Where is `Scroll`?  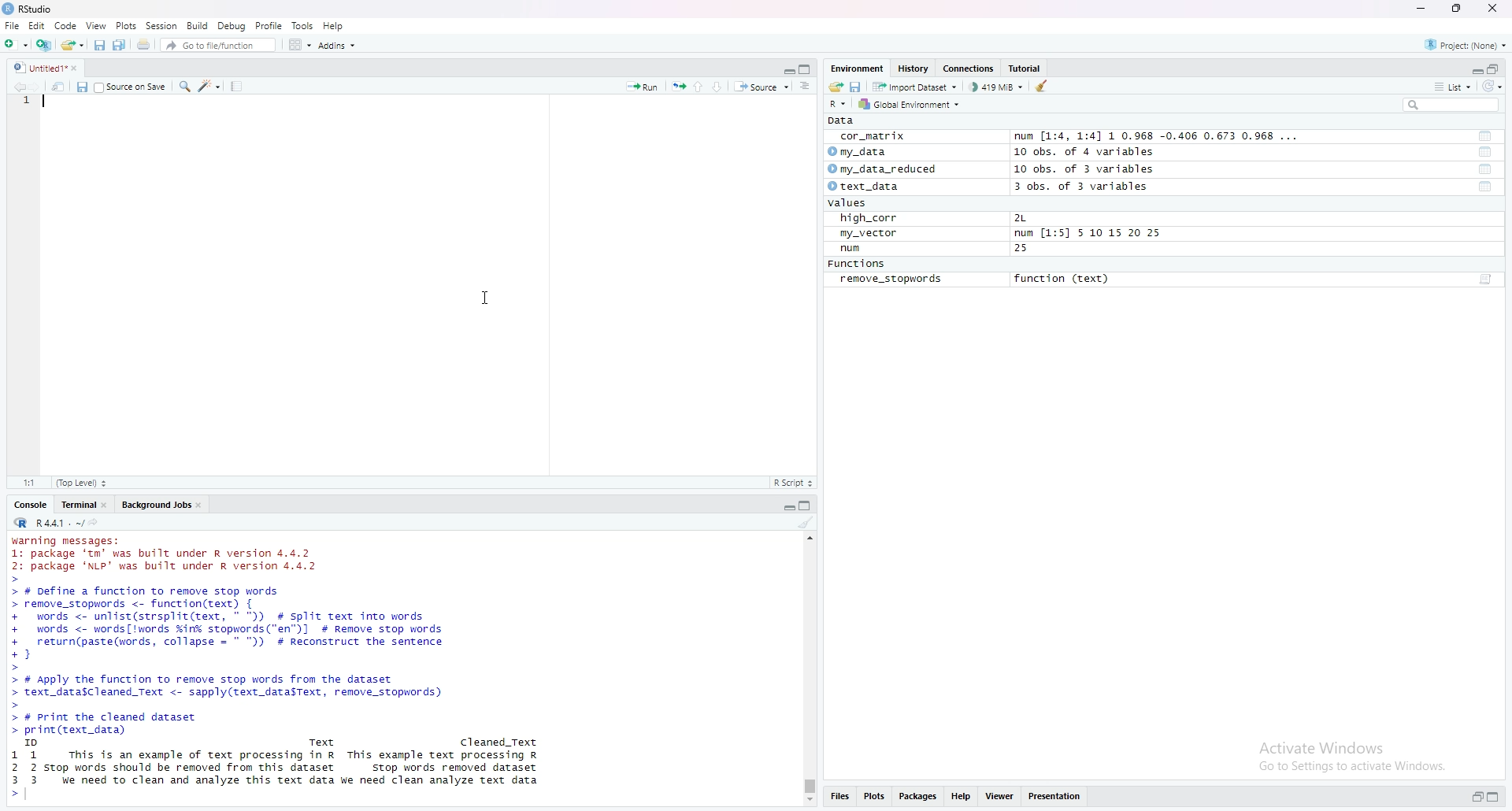 Scroll is located at coordinates (809, 669).